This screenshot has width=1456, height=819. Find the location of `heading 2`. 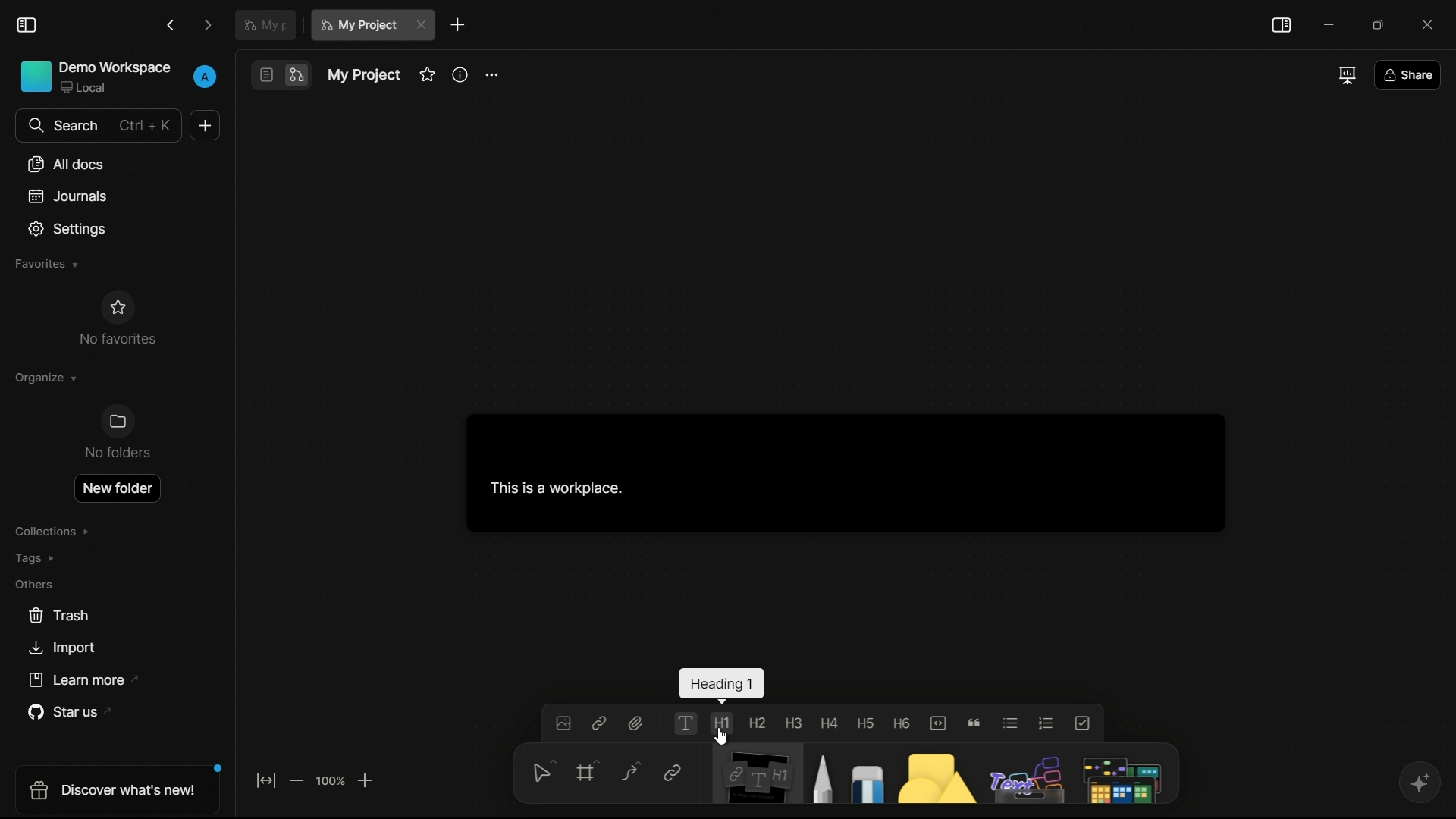

heading 2 is located at coordinates (755, 723).